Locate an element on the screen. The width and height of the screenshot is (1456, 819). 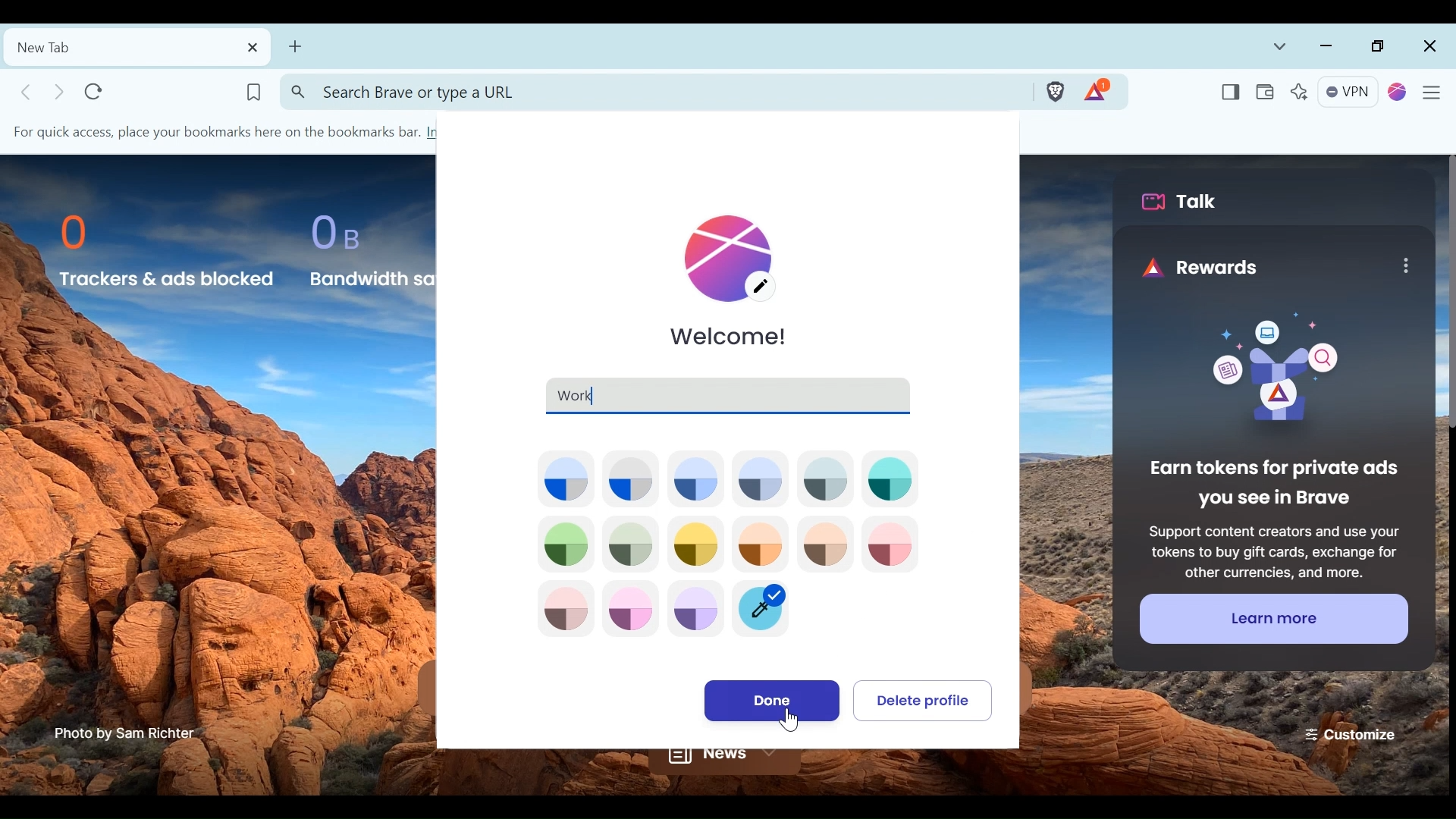
Photo by sam richter is located at coordinates (136, 741).